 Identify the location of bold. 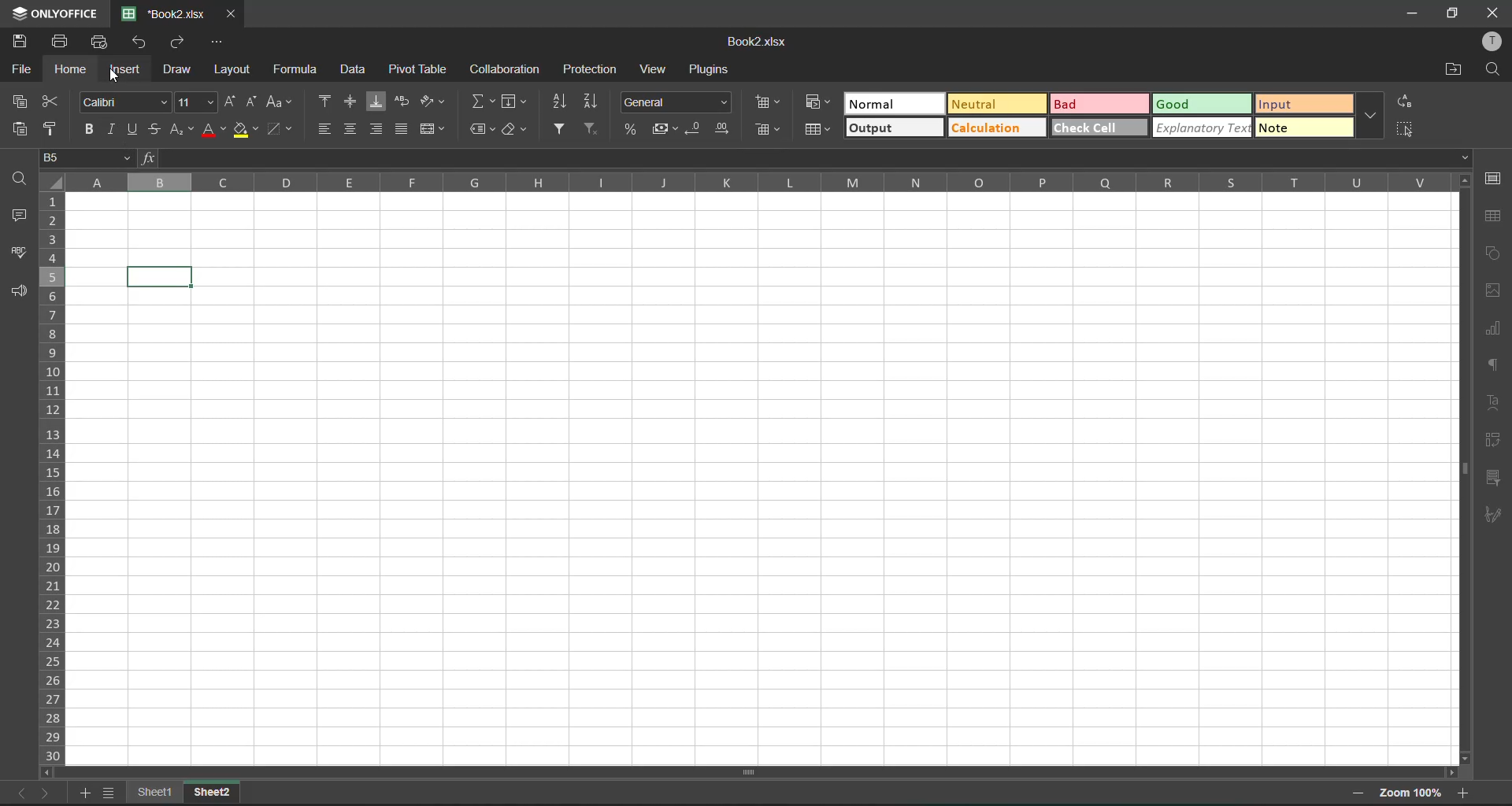
(90, 128).